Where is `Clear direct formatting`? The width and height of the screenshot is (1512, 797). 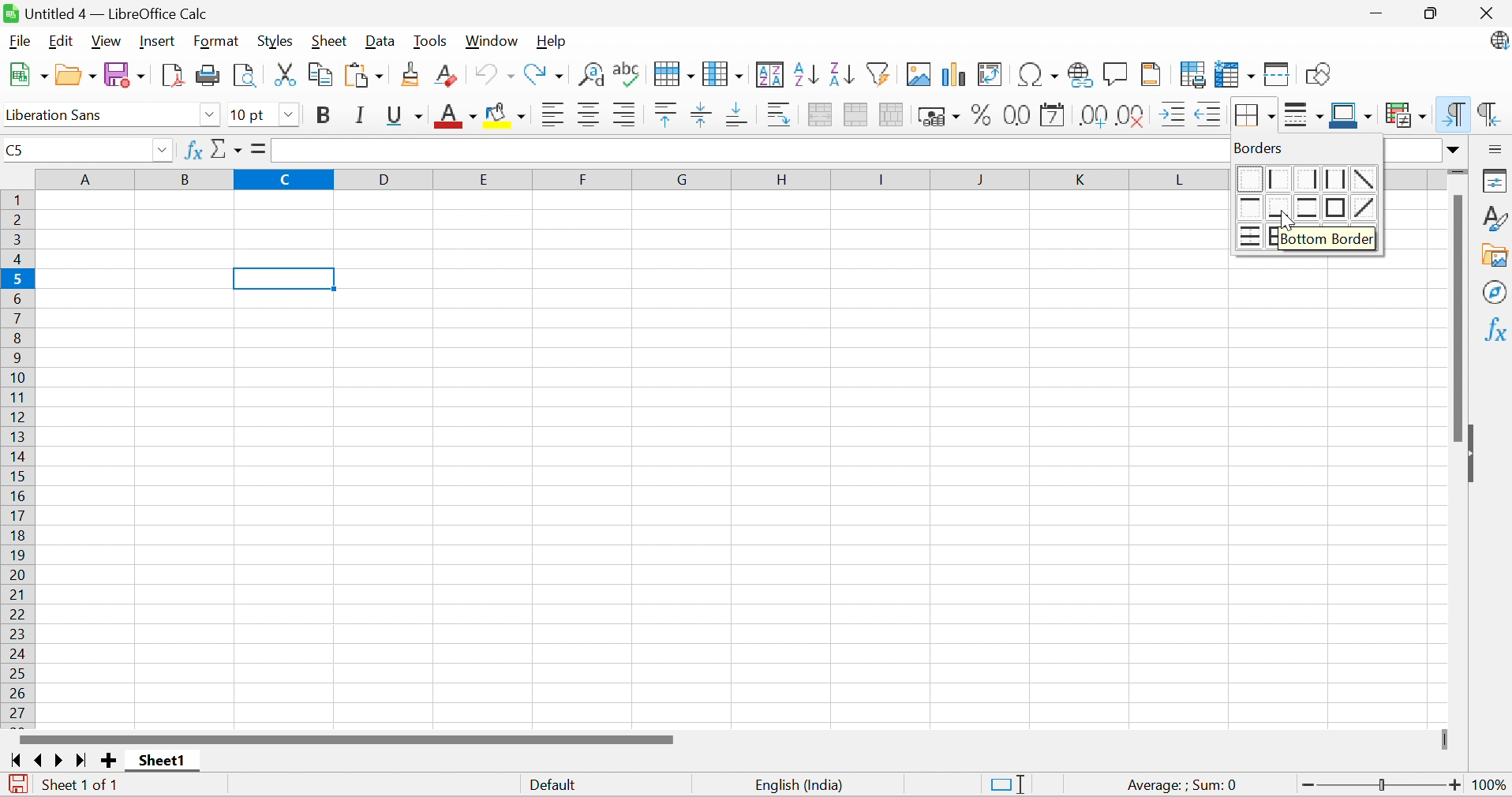 Clear direct formatting is located at coordinates (445, 77).